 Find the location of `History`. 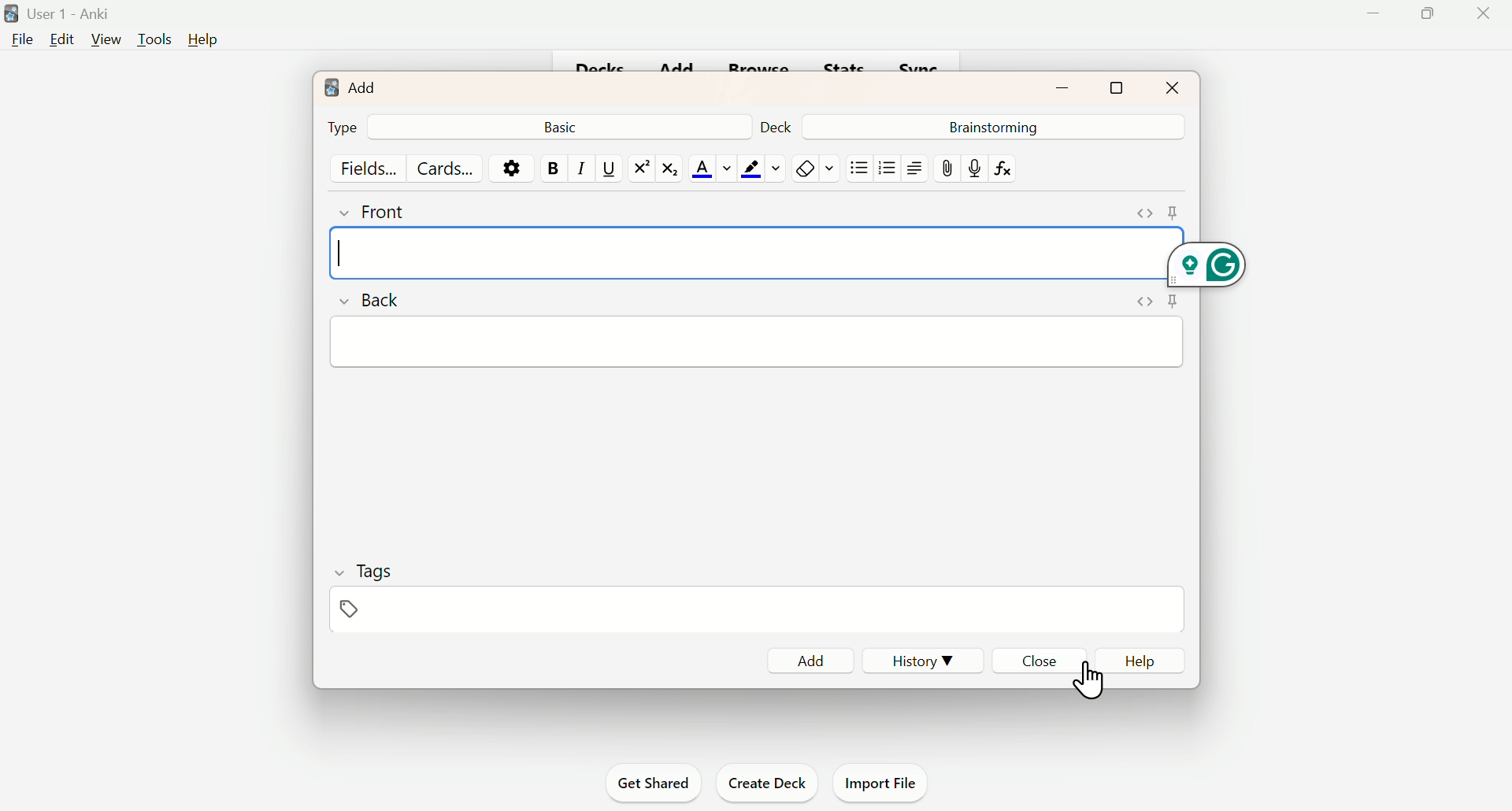

History is located at coordinates (916, 659).